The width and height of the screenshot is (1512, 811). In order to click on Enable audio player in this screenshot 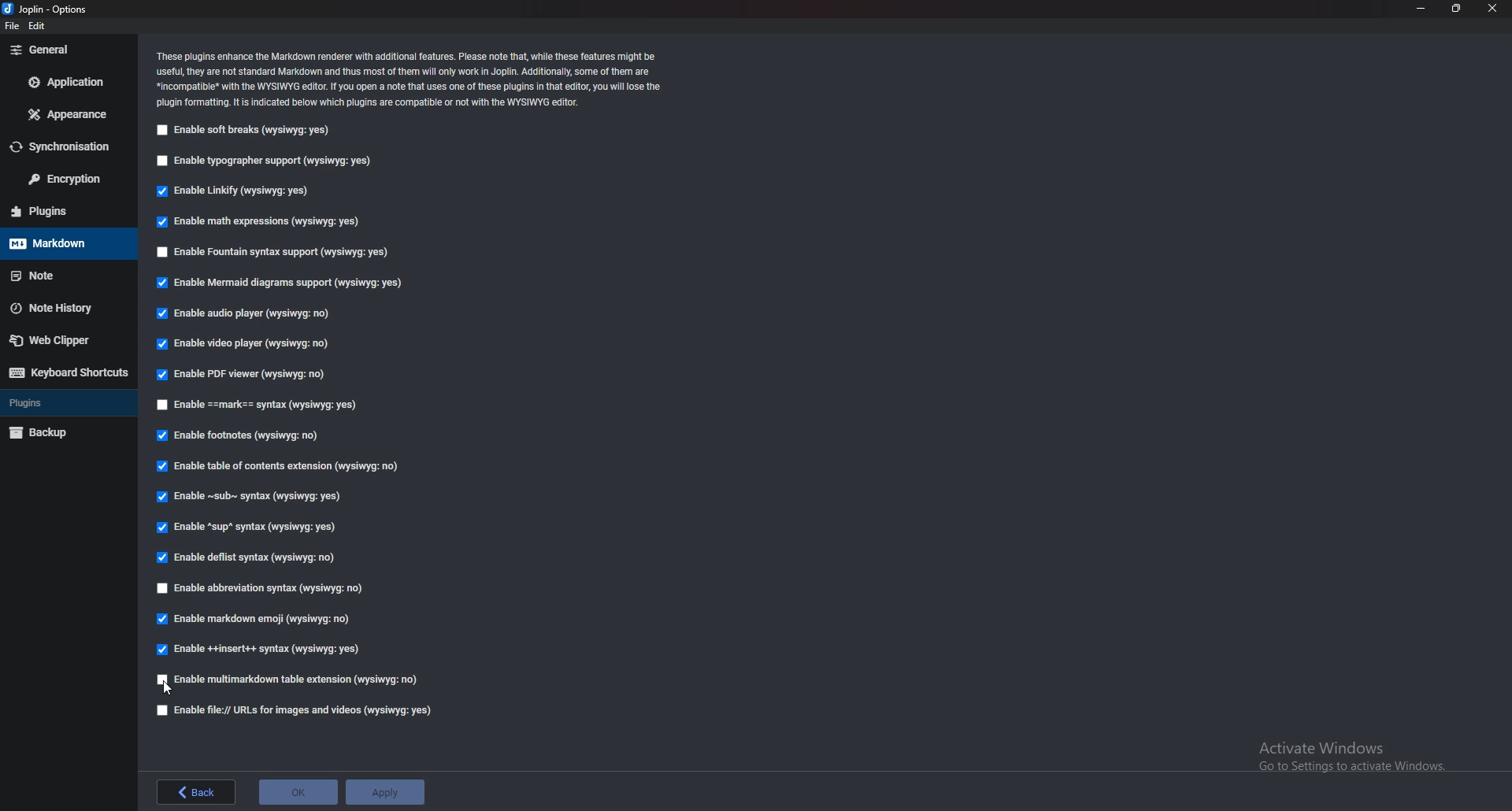, I will do `click(248, 315)`.